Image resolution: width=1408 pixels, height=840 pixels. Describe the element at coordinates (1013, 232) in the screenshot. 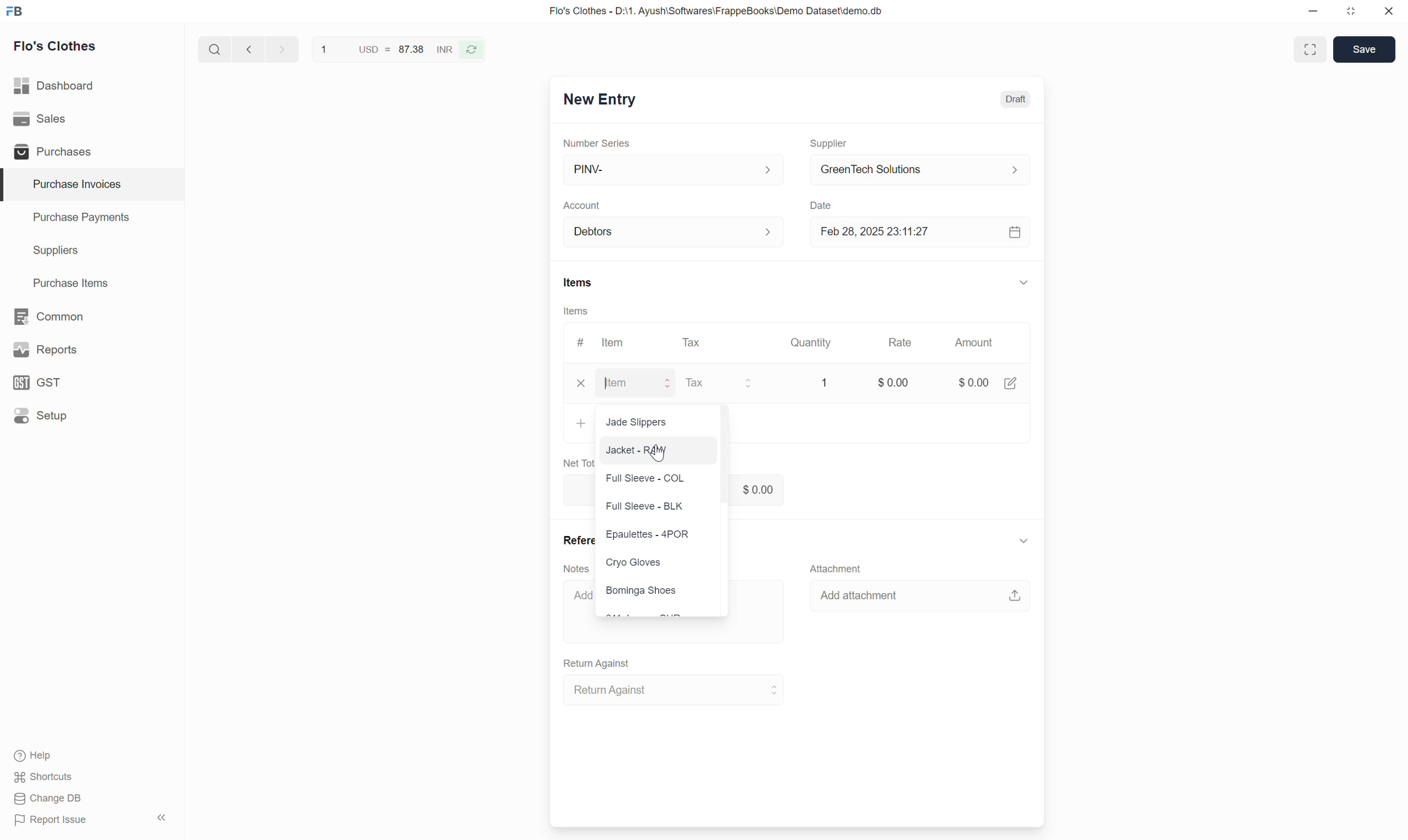

I see `calendar icon` at that location.